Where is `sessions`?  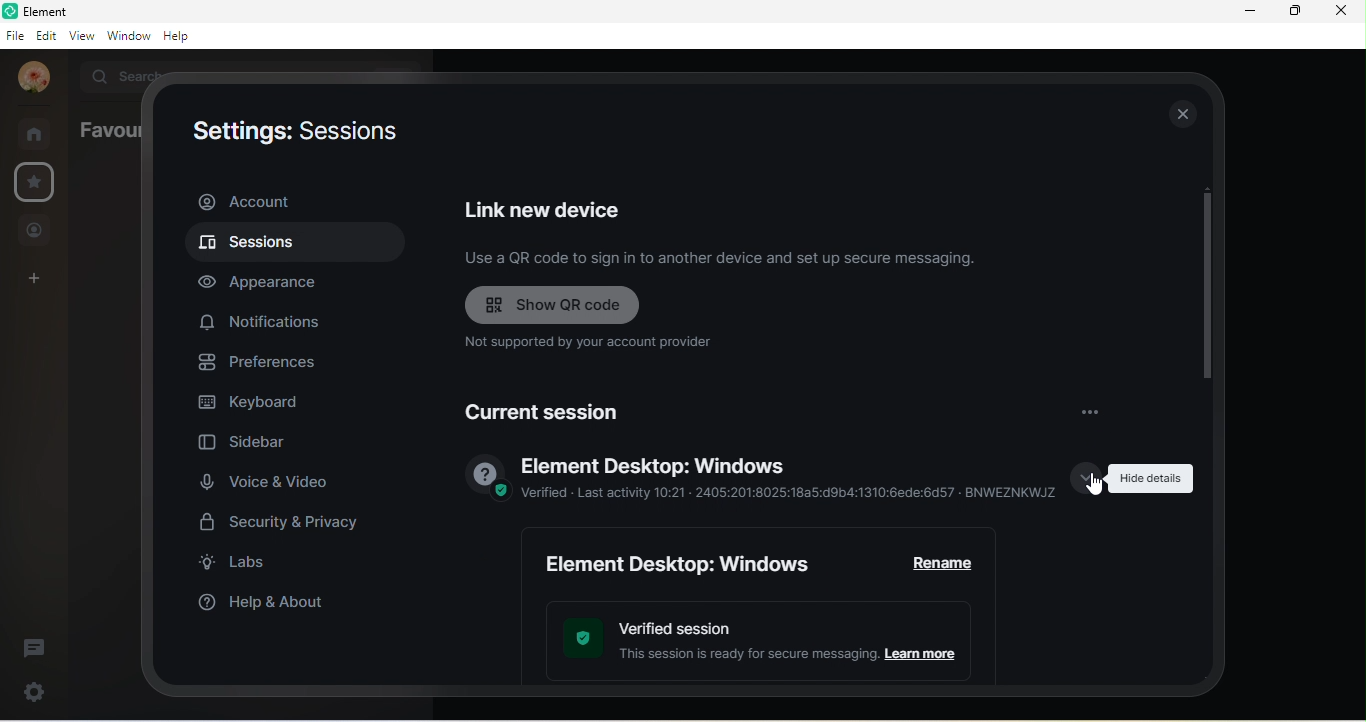 sessions is located at coordinates (291, 245).